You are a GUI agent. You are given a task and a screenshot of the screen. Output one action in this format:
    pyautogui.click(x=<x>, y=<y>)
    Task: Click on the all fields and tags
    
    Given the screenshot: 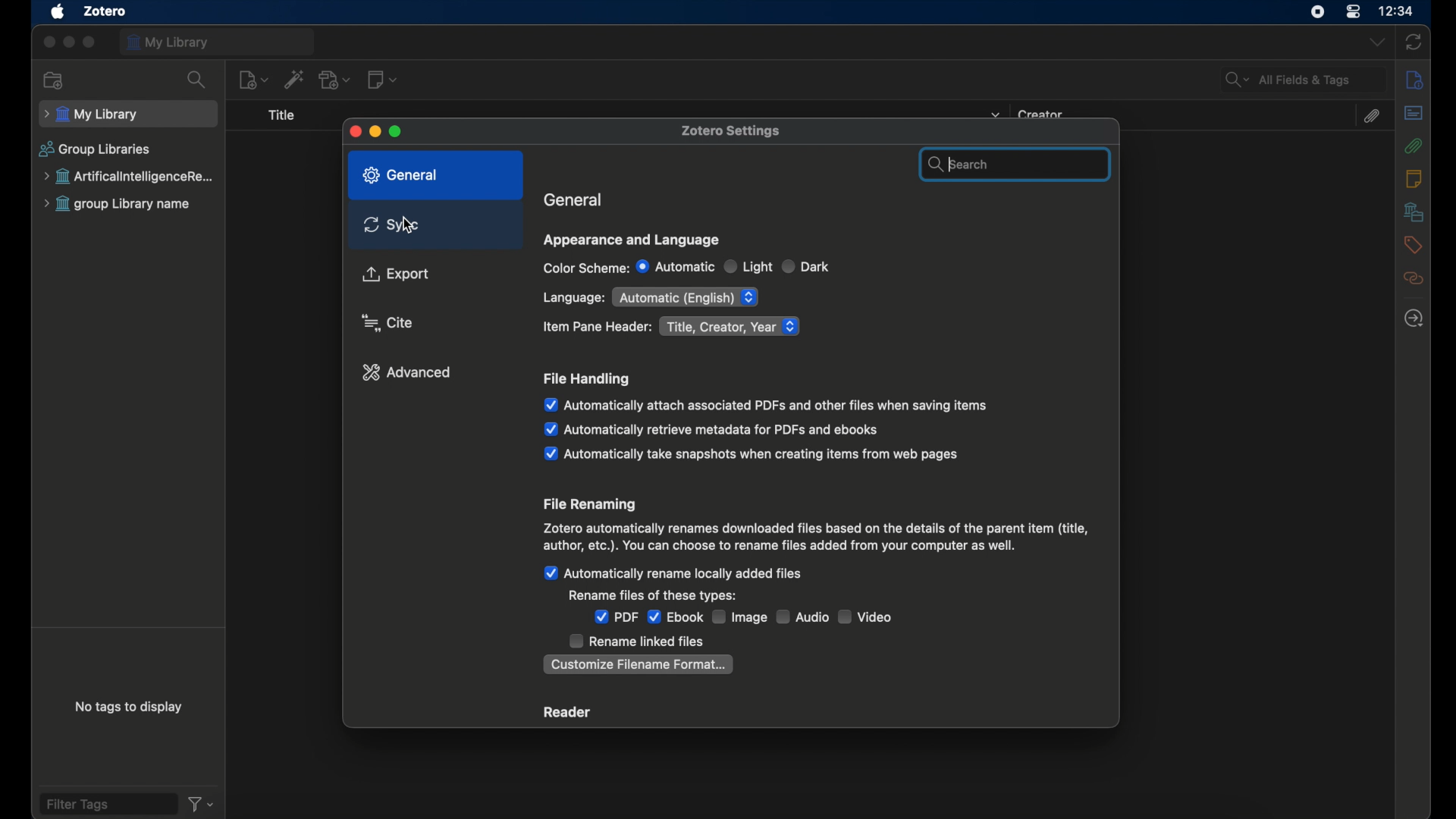 What is the action you would take?
    pyautogui.click(x=1303, y=80)
    